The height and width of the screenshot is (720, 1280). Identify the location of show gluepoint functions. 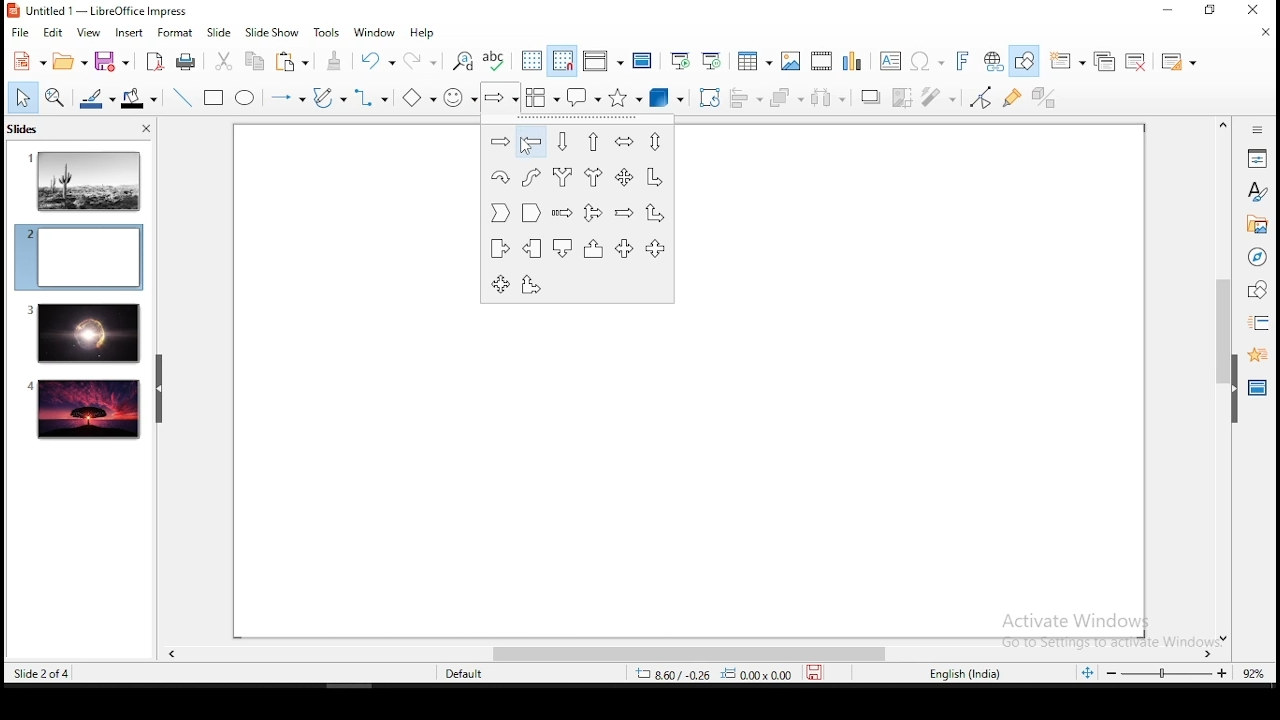
(1017, 97).